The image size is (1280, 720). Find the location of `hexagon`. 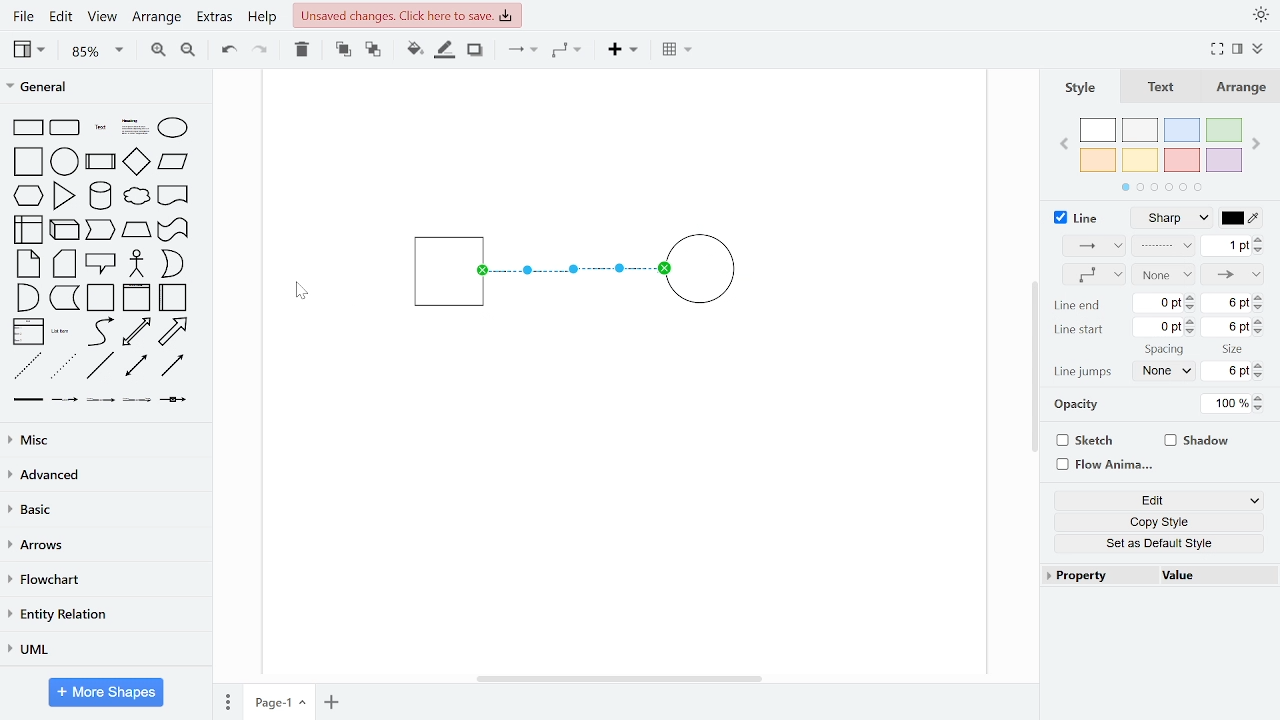

hexagon is located at coordinates (32, 197).